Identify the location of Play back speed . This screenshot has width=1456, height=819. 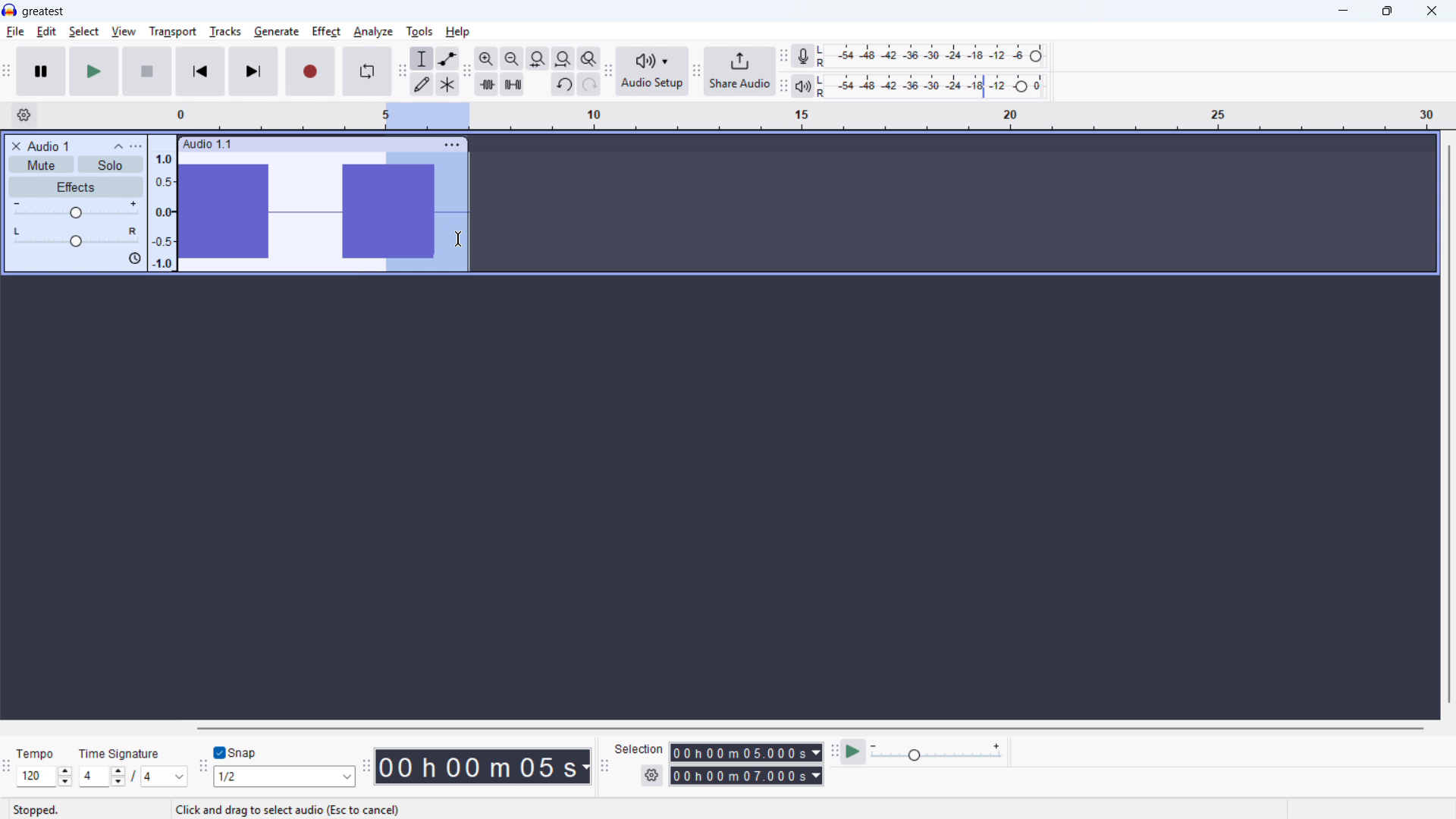
(939, 752).